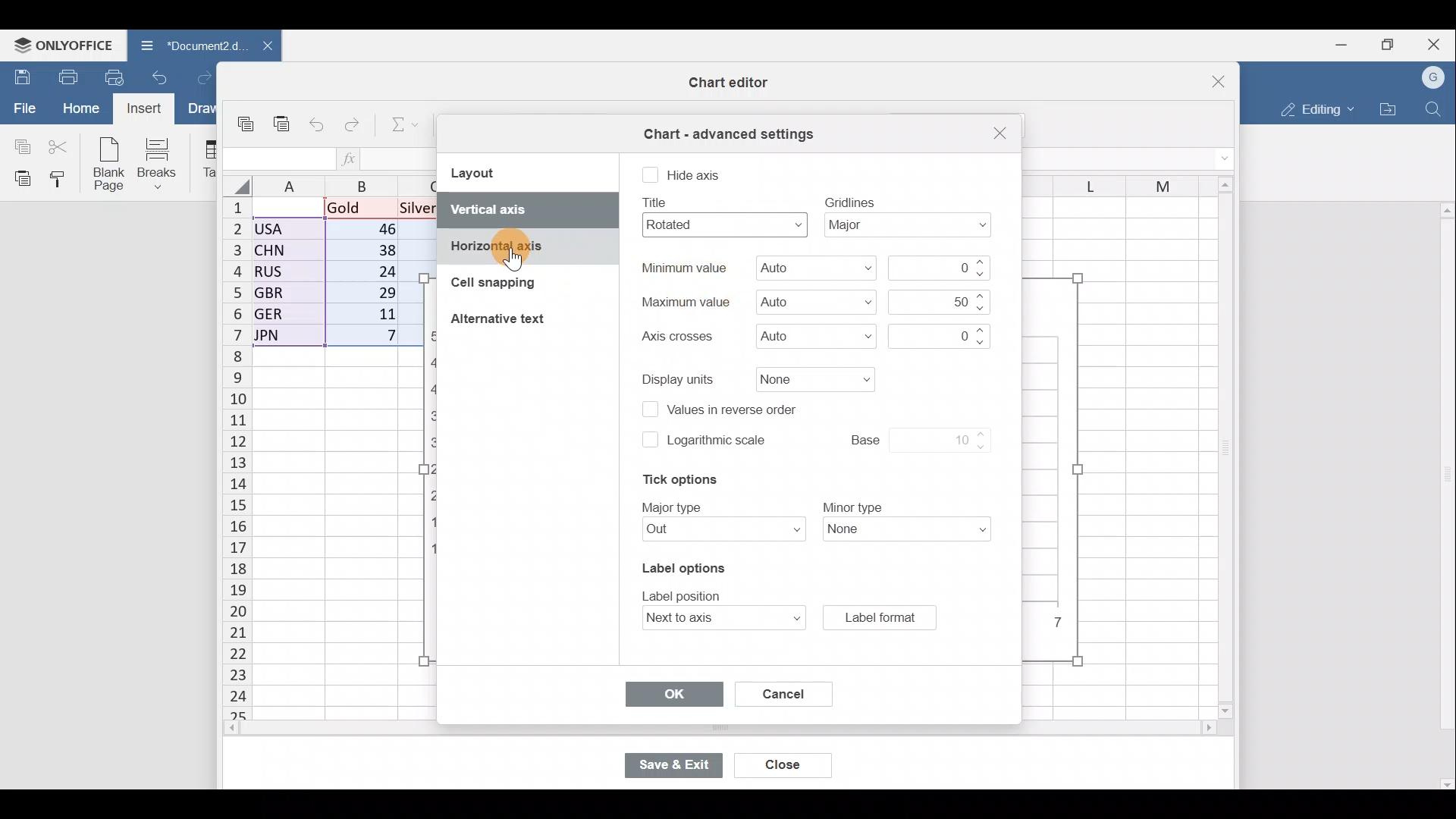 This screenshot has width=1456, height=819. Describe the element at coordinates (486, 172) in the screenshot. I see `Layout` at that location.